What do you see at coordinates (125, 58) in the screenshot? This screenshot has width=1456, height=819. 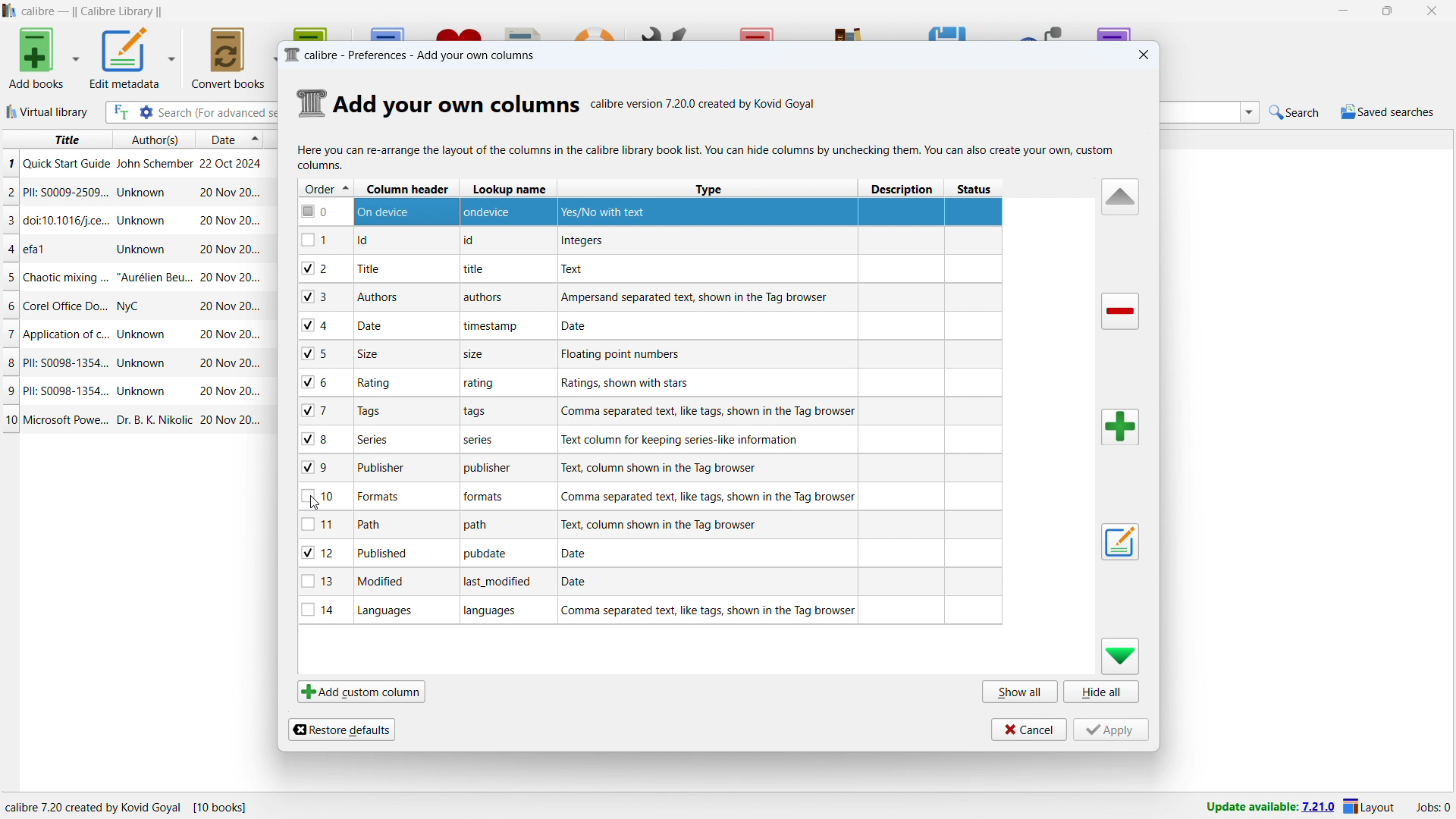 I see `edit metadata` at bounding box center [125, 58].